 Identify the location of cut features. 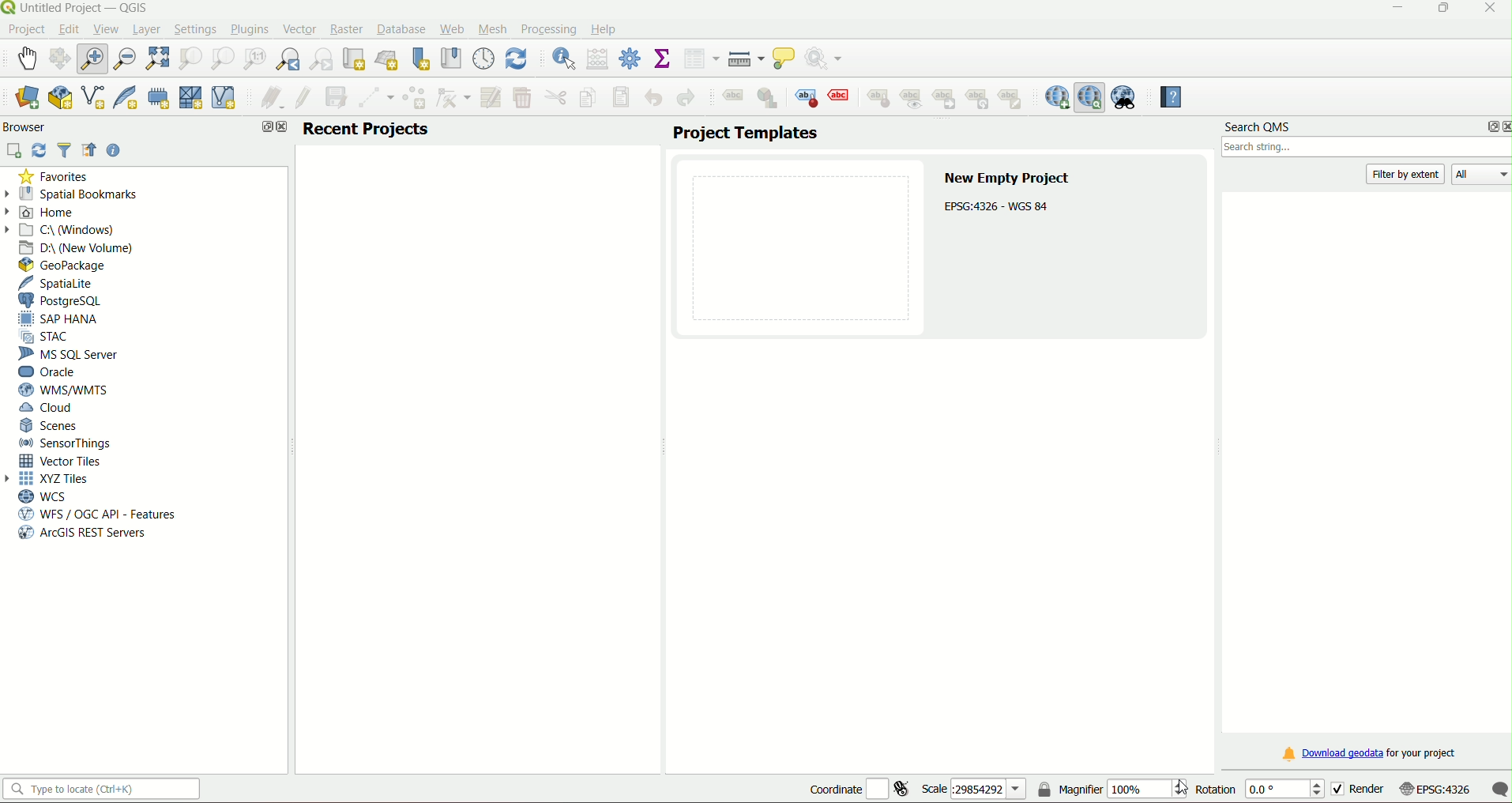
(555, 98).